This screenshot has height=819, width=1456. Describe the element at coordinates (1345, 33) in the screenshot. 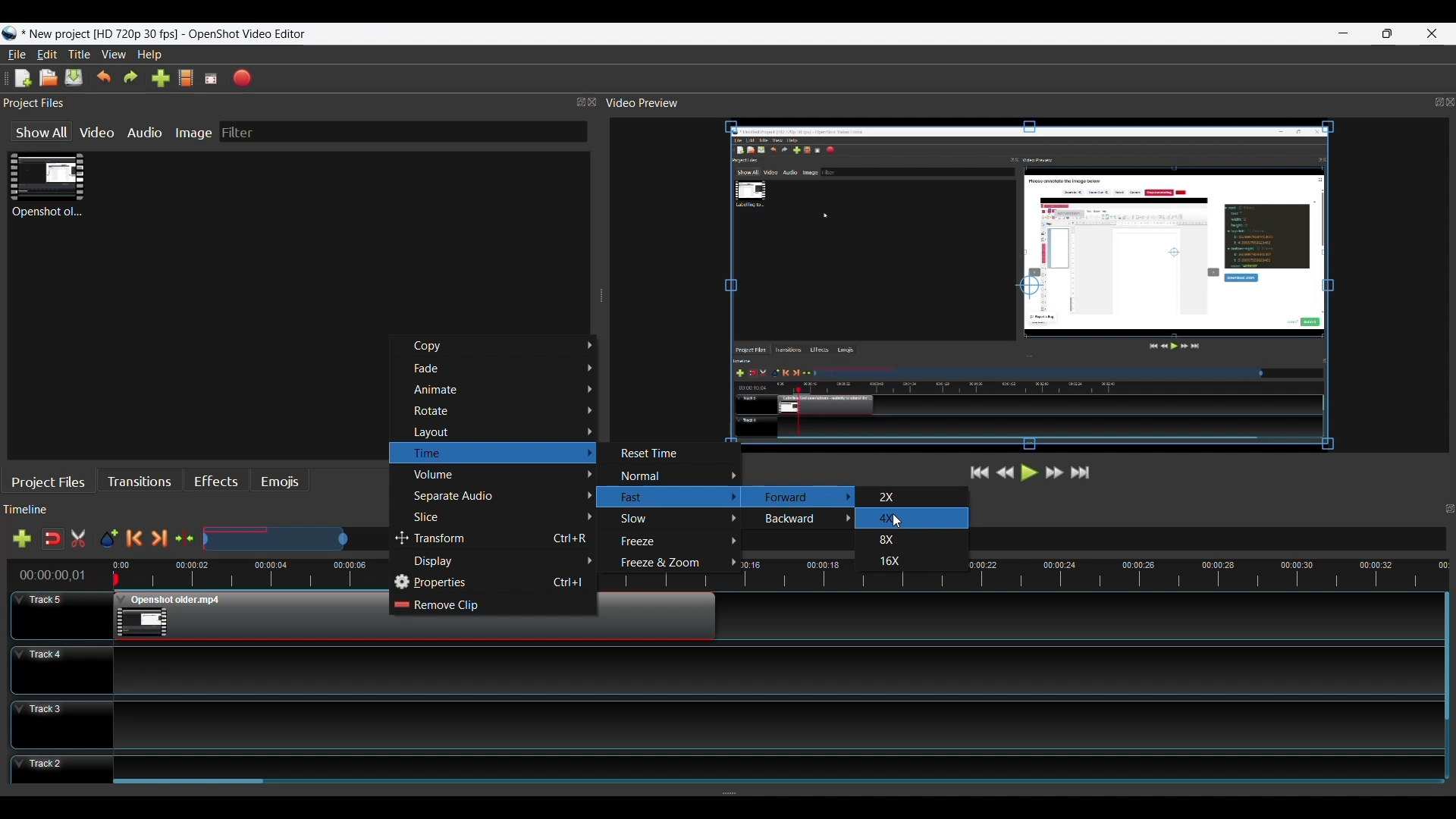

I see `minimize` at that location.